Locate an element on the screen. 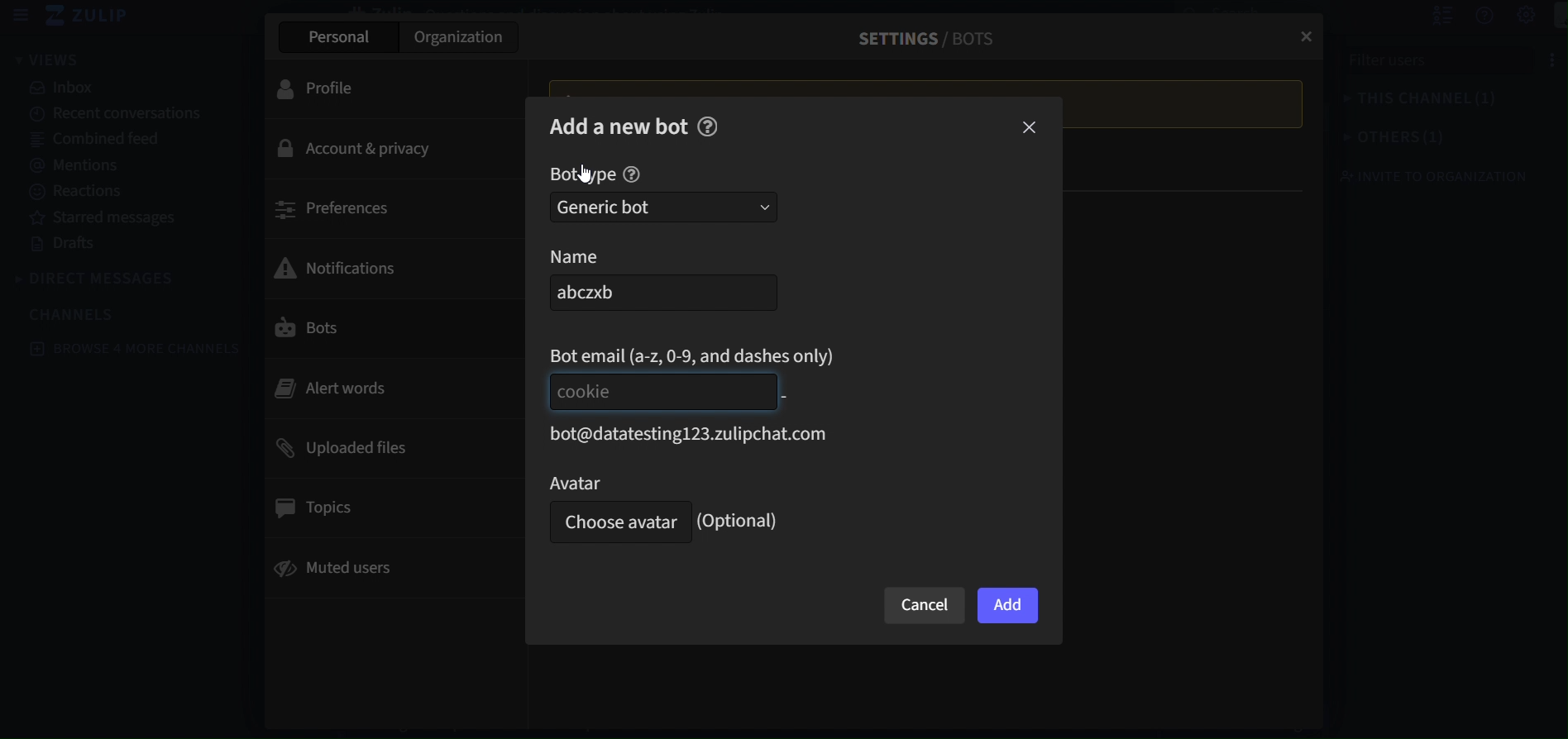 The image size is (1568, 739). muted users is located at coordinates (386, 570).